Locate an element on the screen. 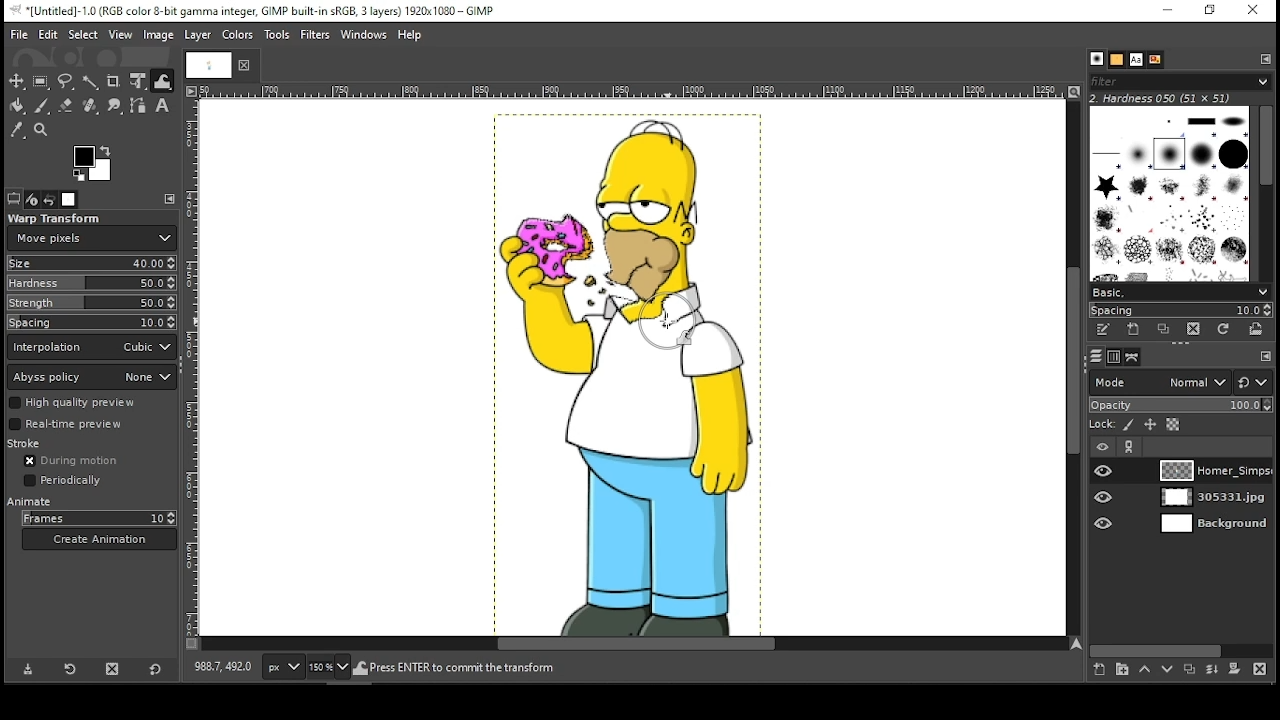  brush is located at coordinates (1097, 58).